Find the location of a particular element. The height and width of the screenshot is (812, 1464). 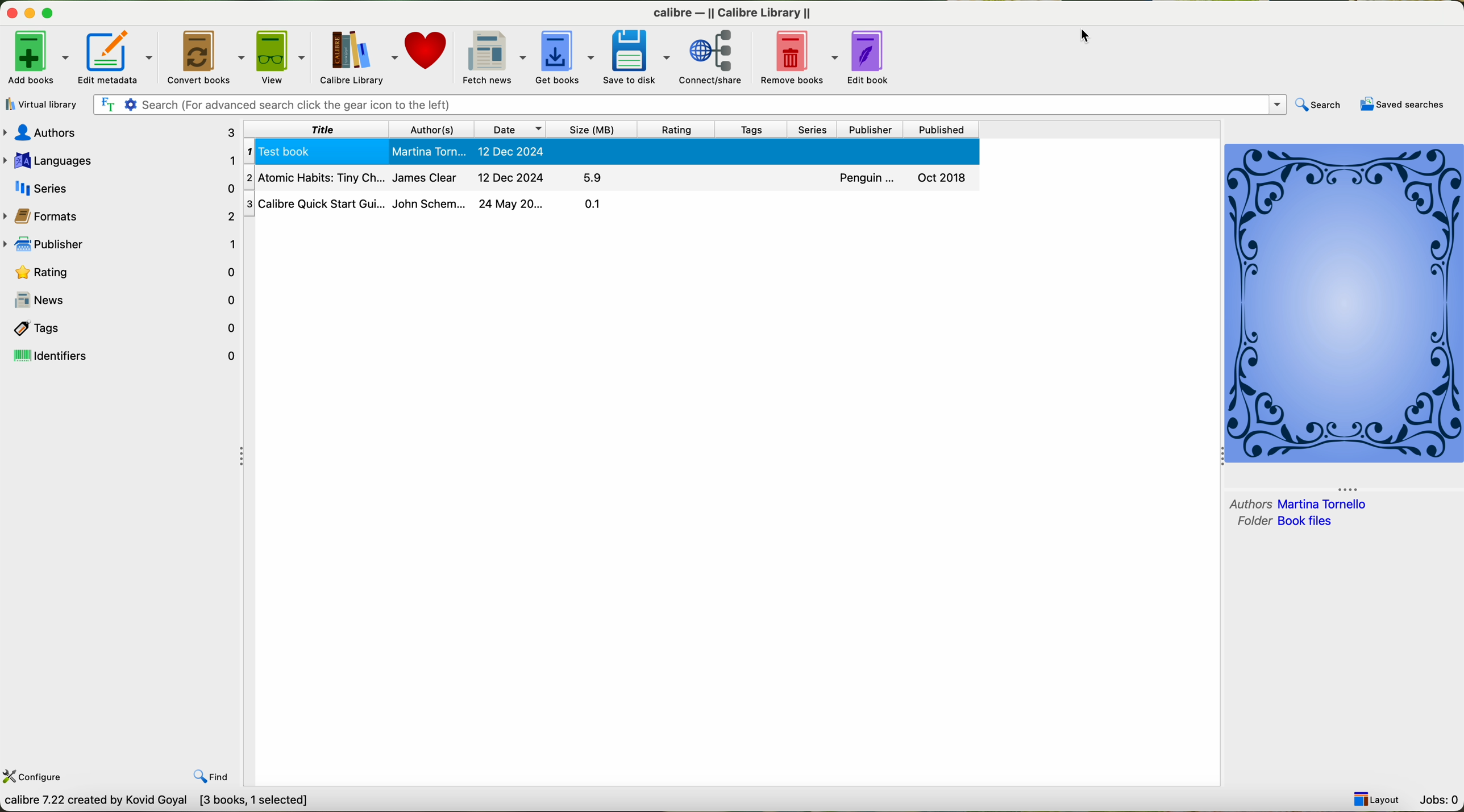

click on add books options is located at coordinates (38, 57).